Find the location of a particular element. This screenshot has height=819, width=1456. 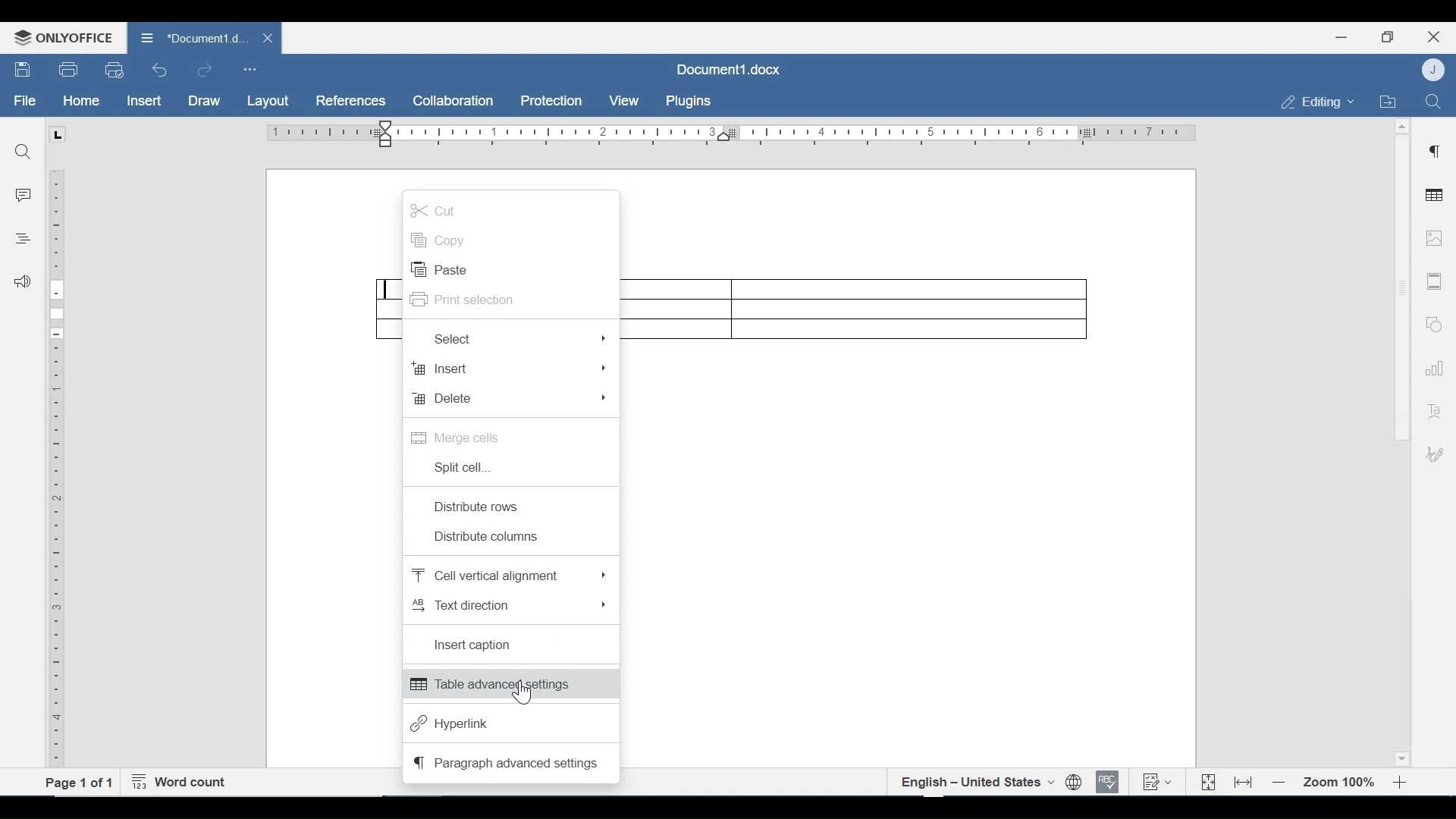

Layout is located at coordinates (268, 102).